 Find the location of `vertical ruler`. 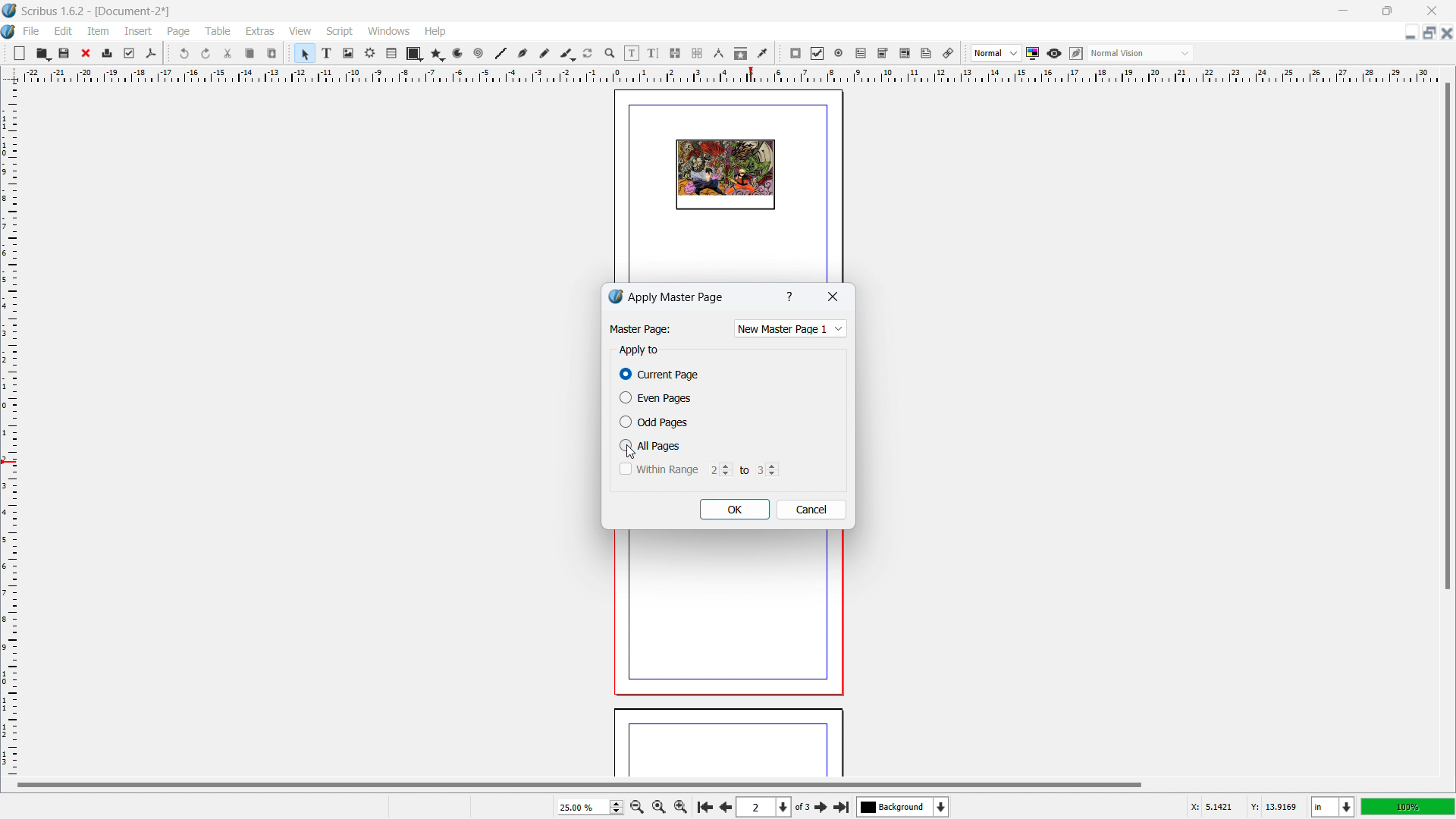

vertical ruler is located at coordinates (9, 430).